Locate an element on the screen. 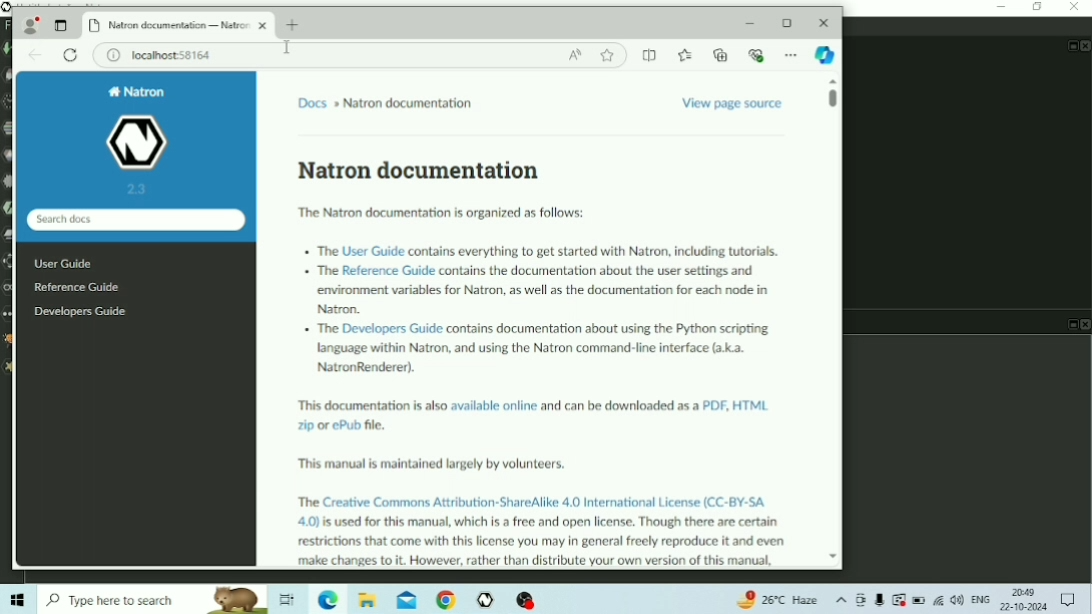 The height and width of the screenshot is (614, 1092). Natron is located at coordinates (487, 598).